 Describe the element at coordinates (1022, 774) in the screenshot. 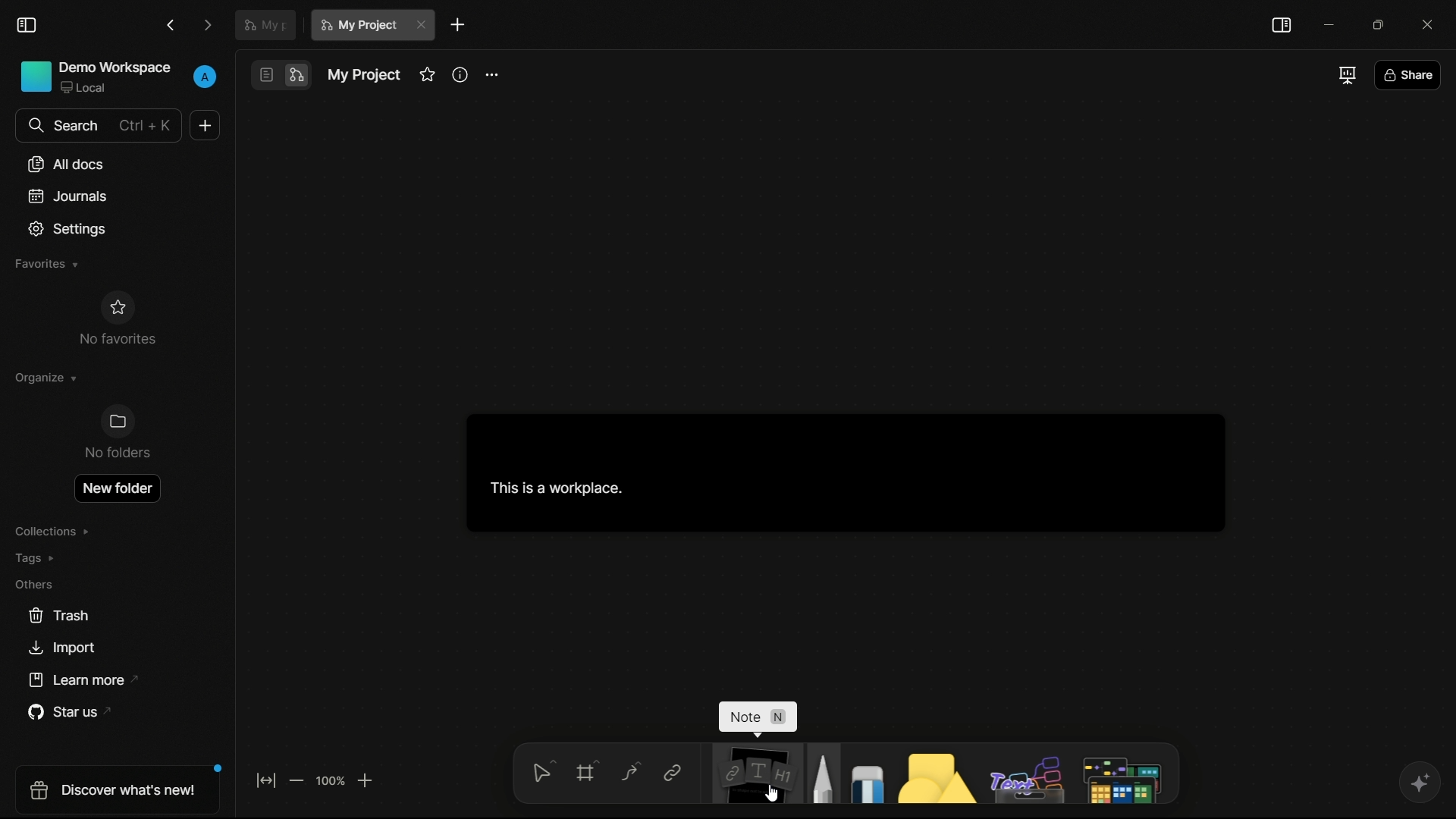

I see `others` at that location.